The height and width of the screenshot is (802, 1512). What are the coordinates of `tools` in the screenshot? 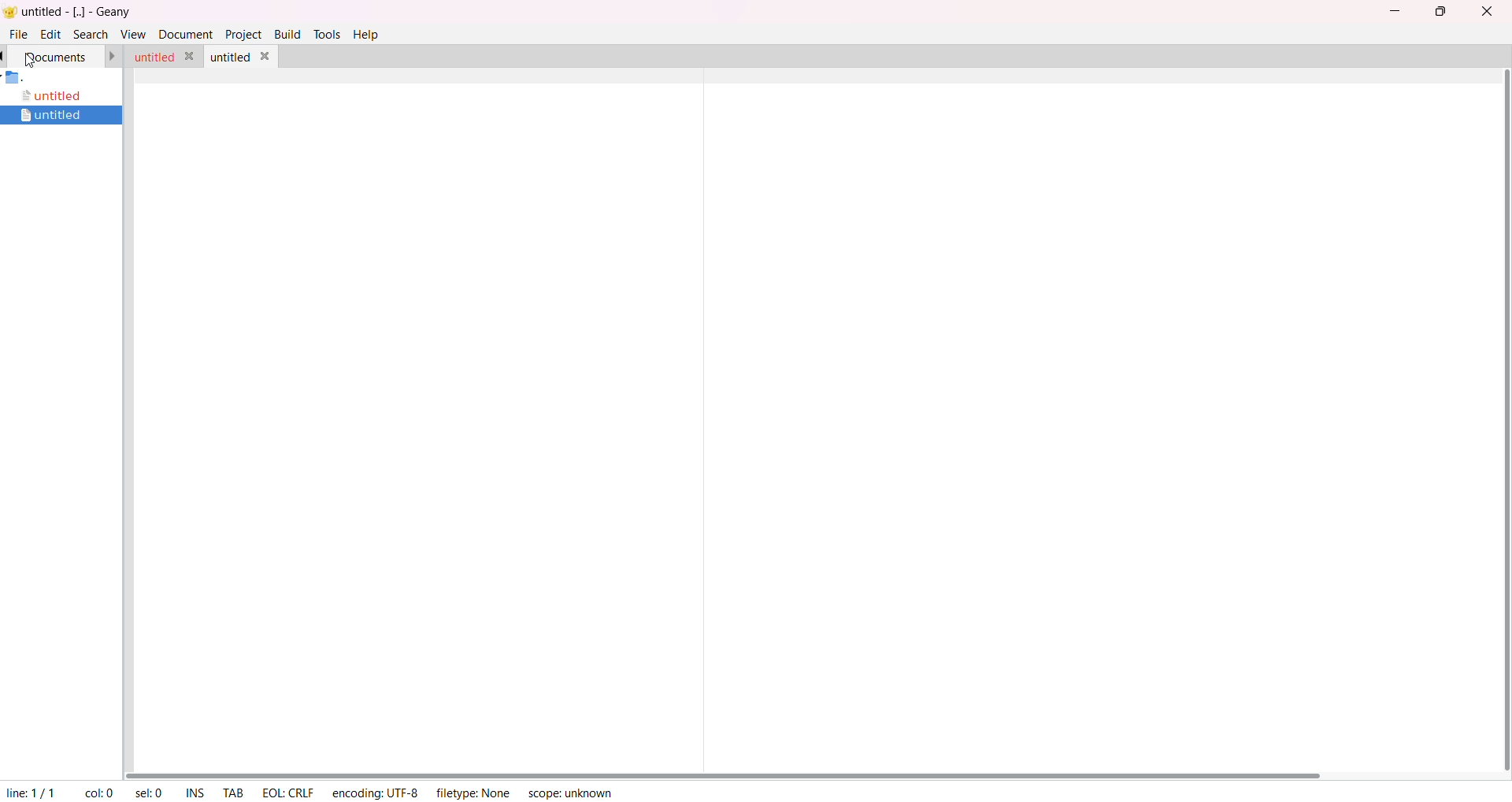 It's located at (326, 34).